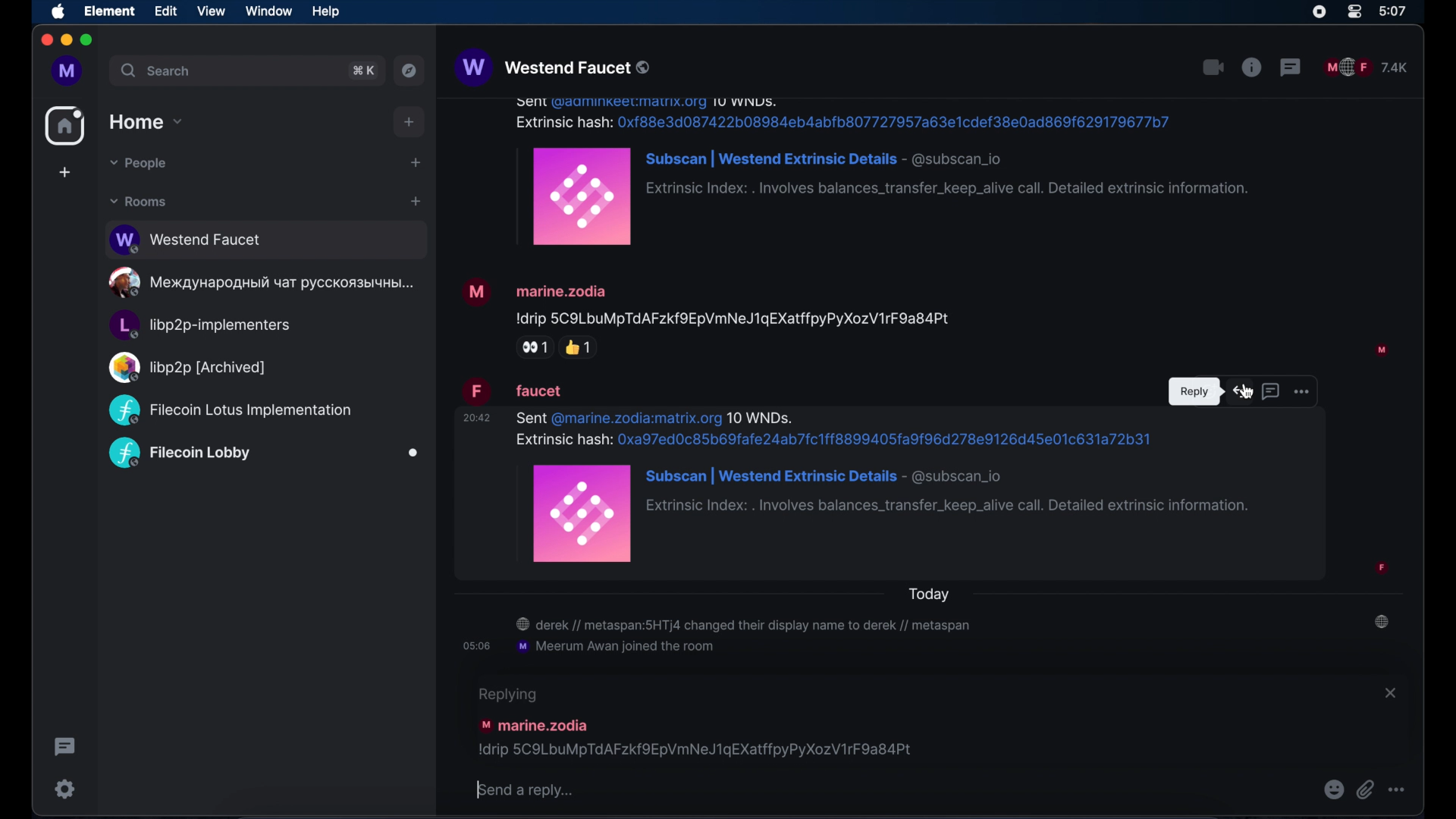 This screenshot has height=819, width=1456. Describe the element at coordinates (138, 202) in the screenshot. I see `rooms dropdown` at that location.